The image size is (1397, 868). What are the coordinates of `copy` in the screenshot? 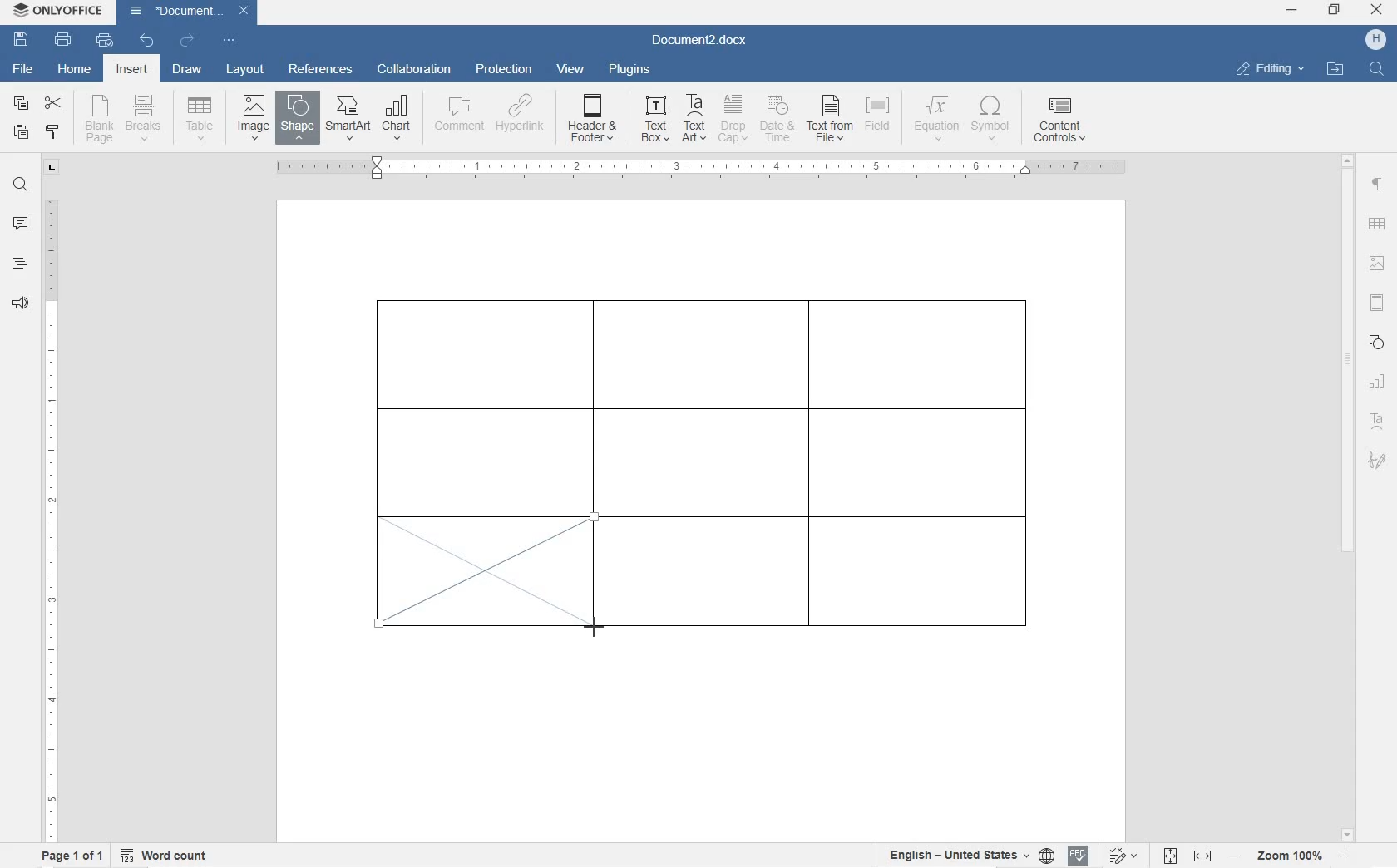 It's located at (22, 106).